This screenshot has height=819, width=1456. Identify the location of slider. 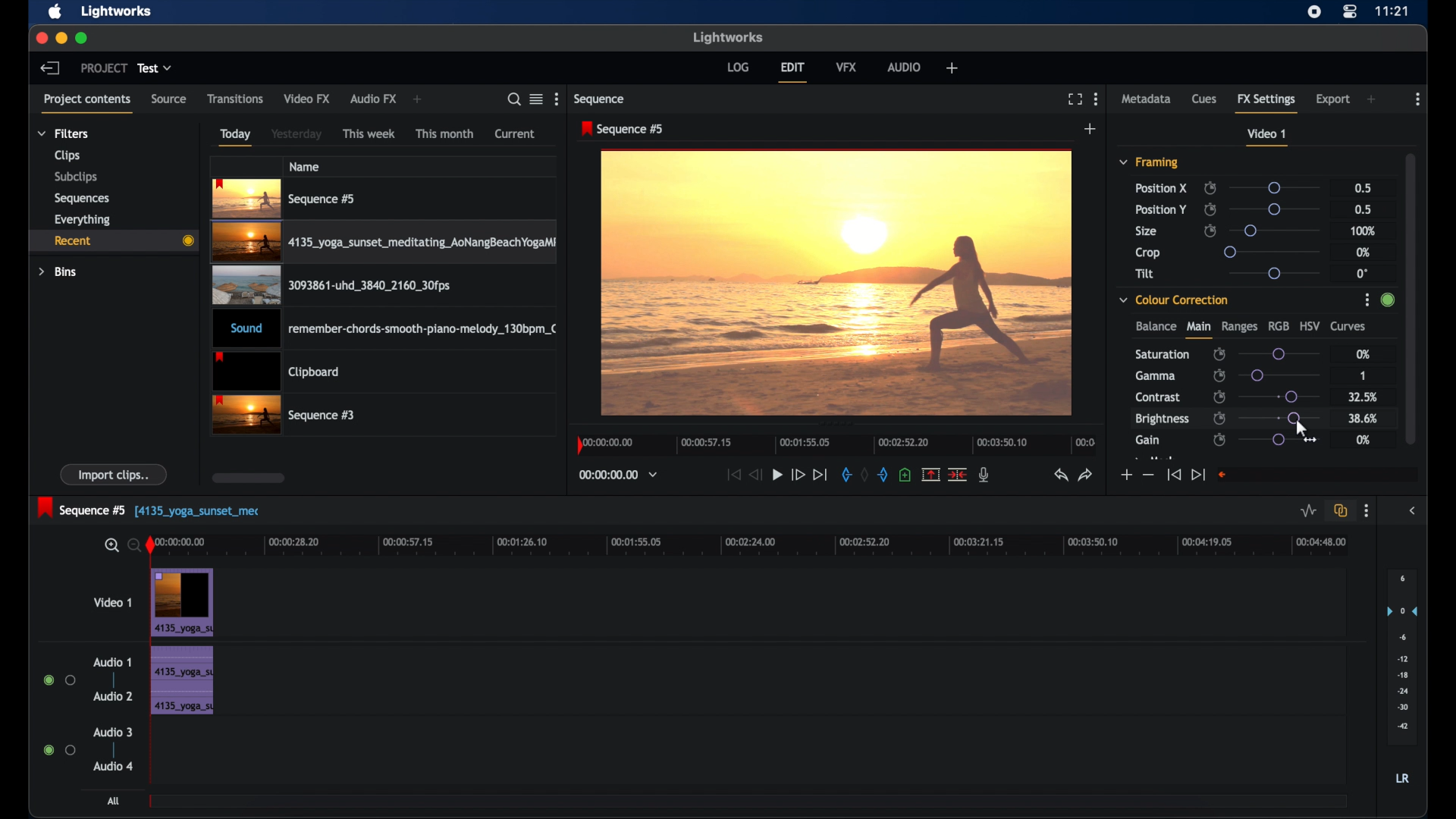
(1279, 375).